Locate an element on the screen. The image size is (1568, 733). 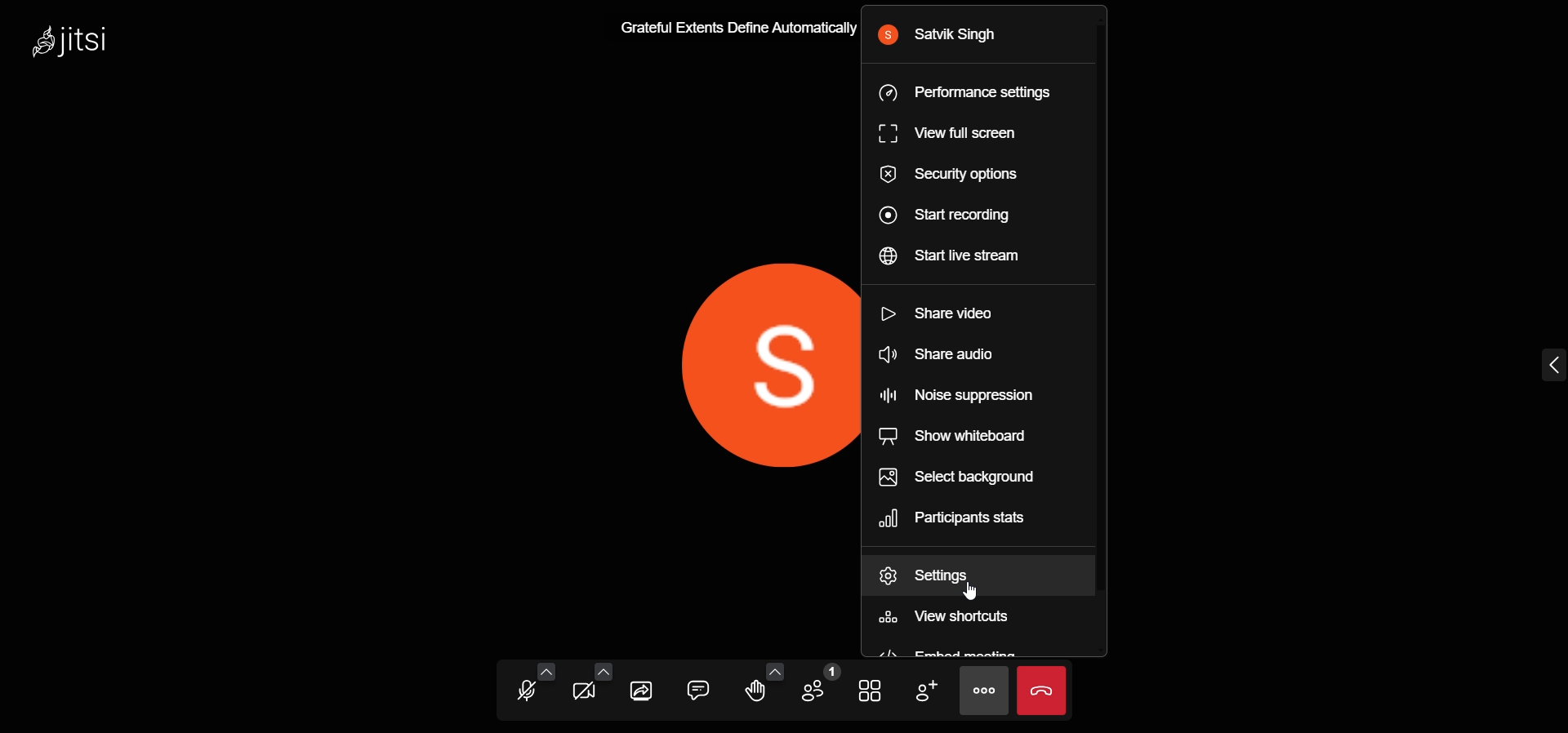
invite people is located at coordinates (923, 688).